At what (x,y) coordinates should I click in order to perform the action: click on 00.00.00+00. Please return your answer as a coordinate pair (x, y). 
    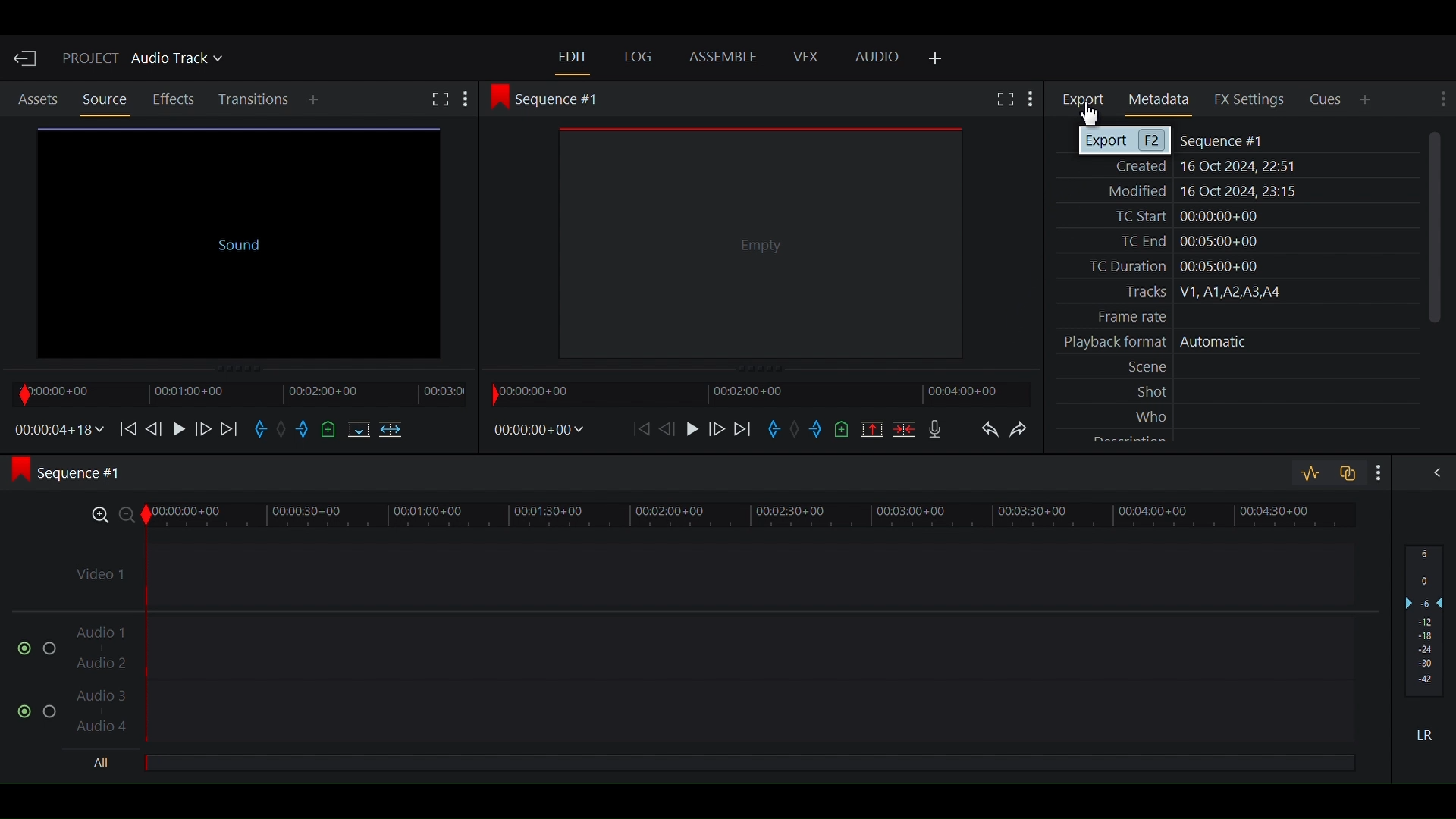
    Looking at the image, I should click on (538, 430).